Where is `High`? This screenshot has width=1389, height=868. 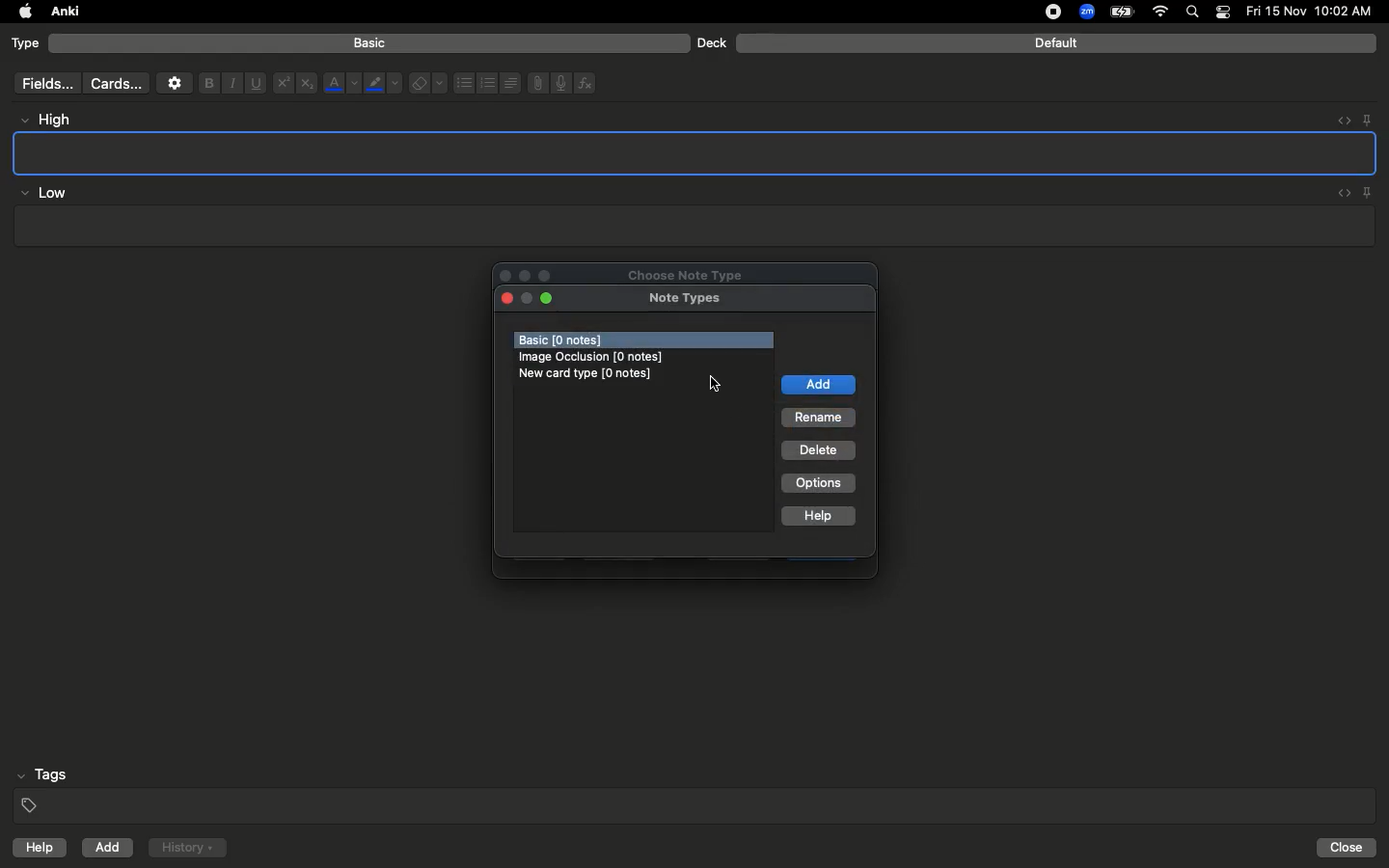 High is located at coordinates (54, 120).